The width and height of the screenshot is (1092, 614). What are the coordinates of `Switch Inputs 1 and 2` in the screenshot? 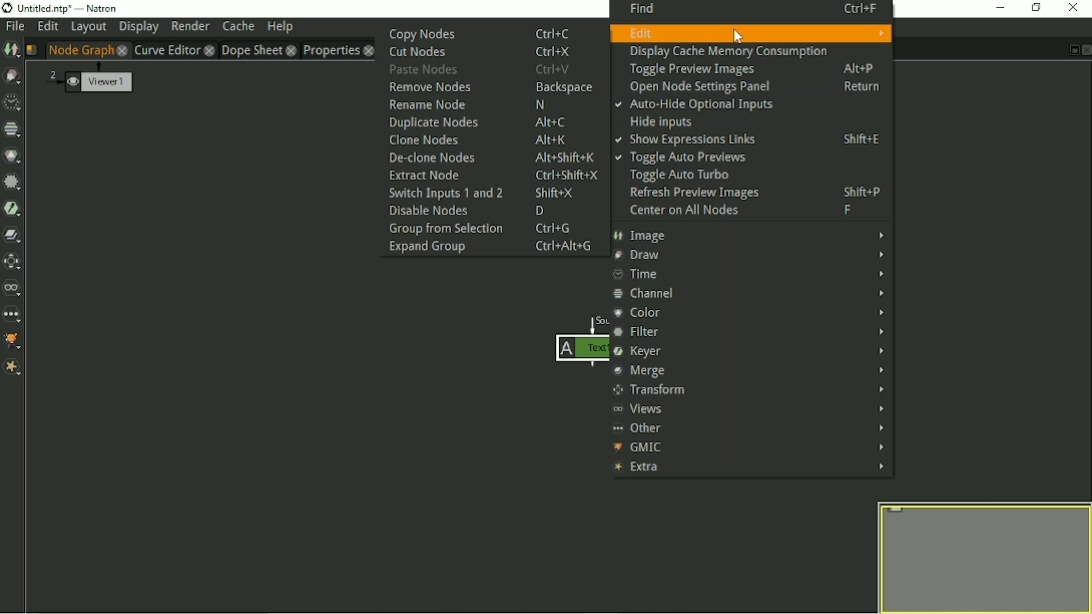 It's located at (494, 193).